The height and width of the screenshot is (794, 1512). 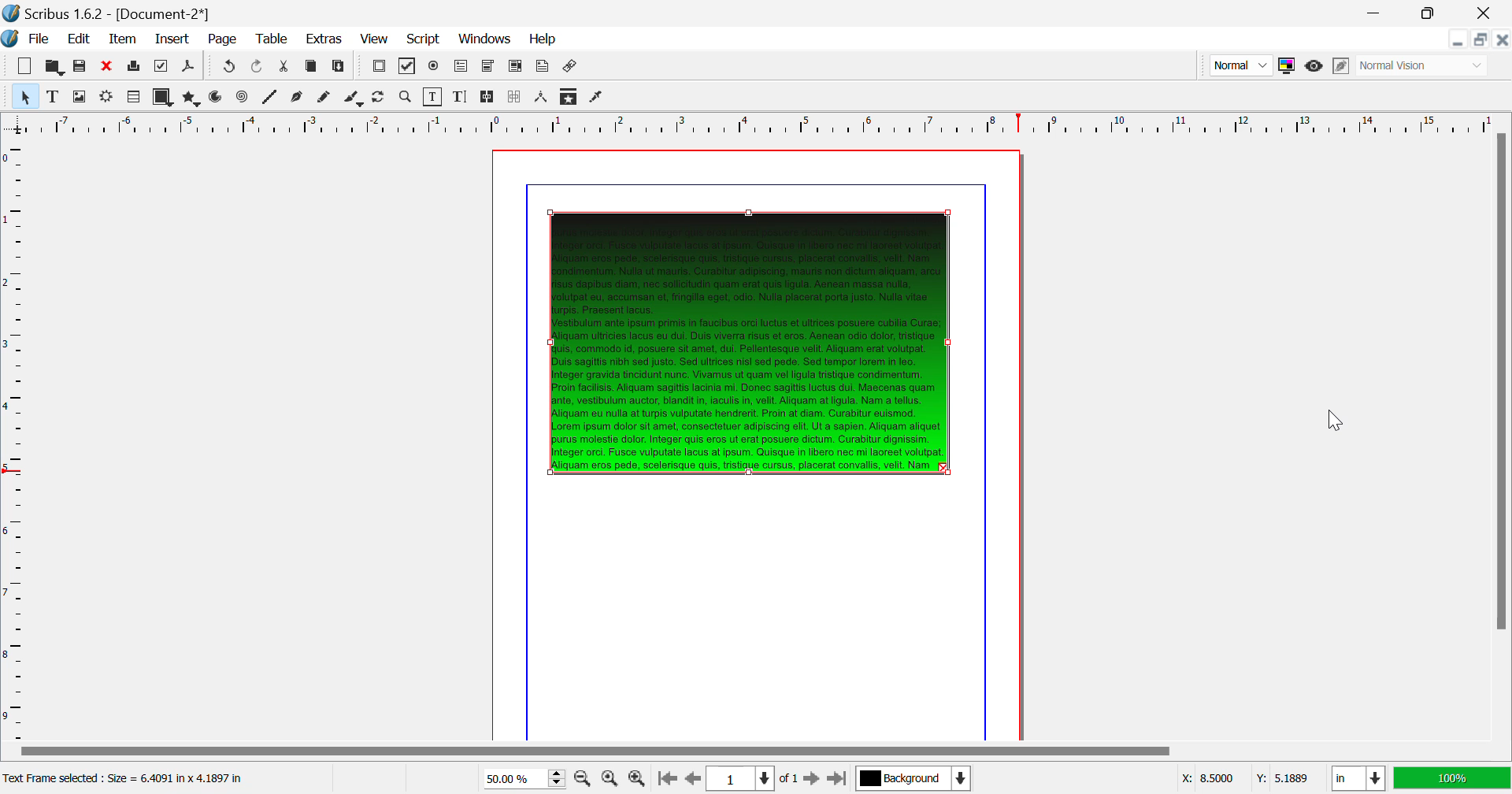 I want to click on Render Frame, so click(x=106, y=98).